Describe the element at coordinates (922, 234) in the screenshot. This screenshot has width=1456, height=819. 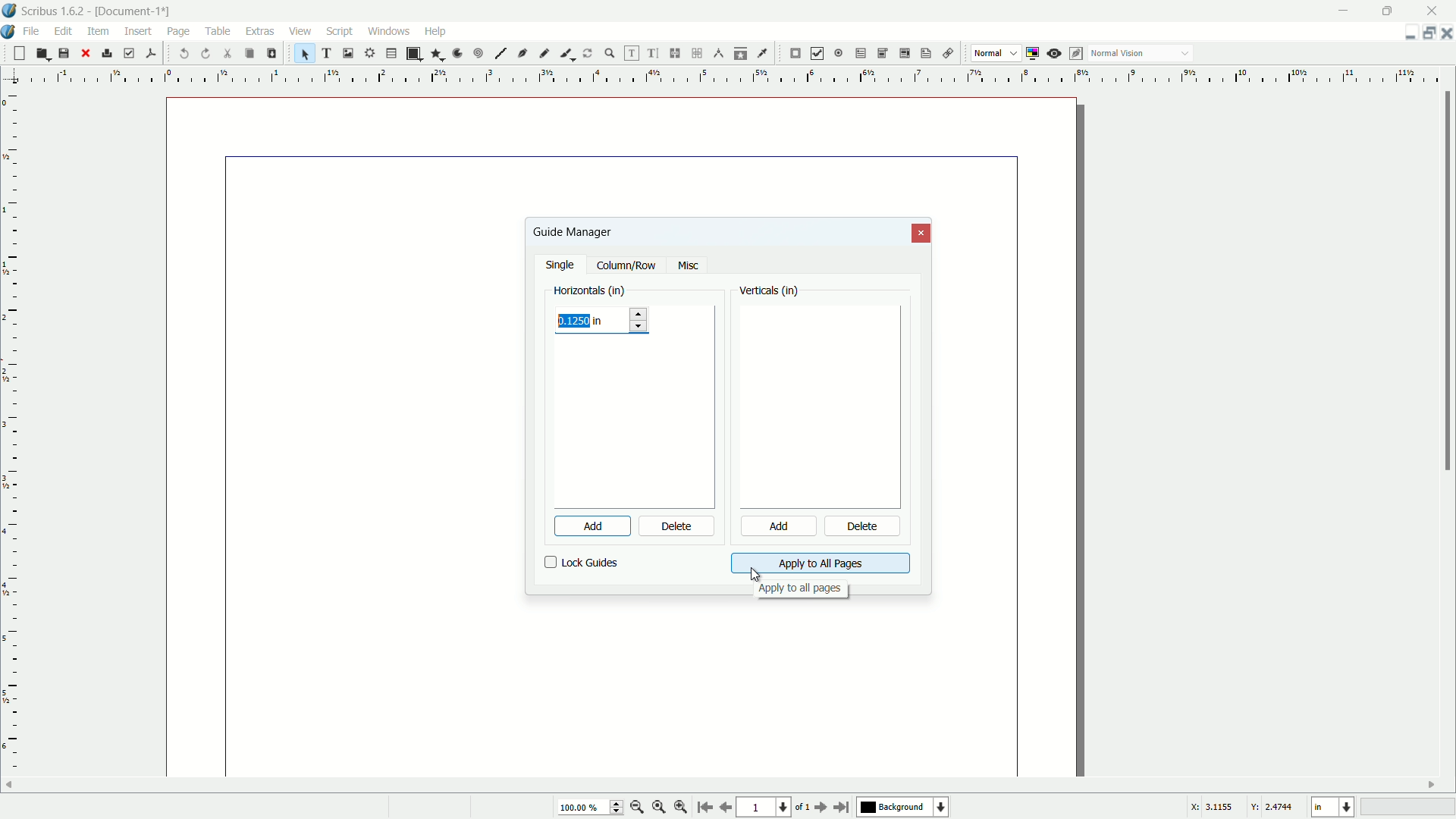
I see `close guide manager window` at that location.